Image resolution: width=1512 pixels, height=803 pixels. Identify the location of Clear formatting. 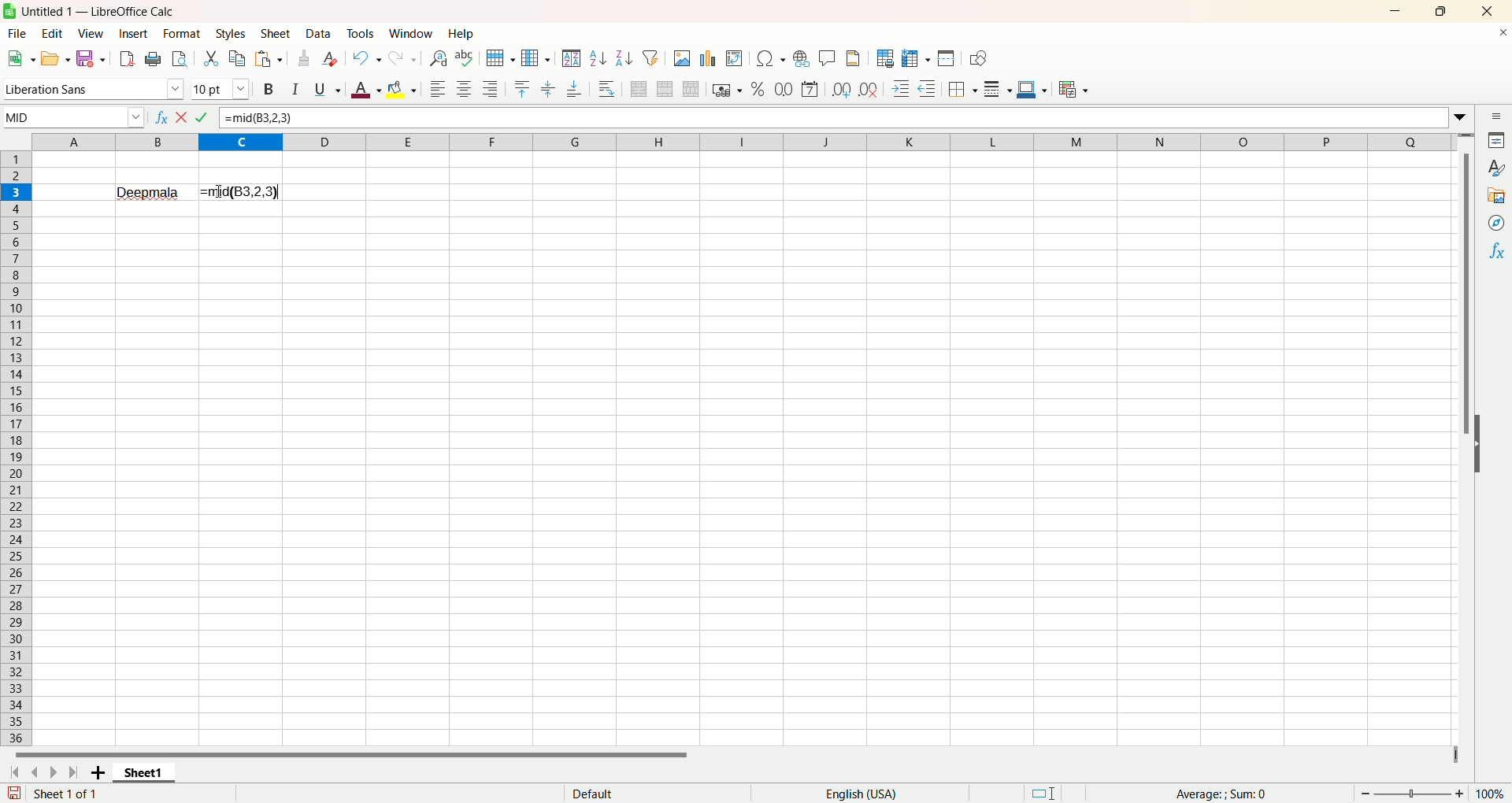
(332, 58).